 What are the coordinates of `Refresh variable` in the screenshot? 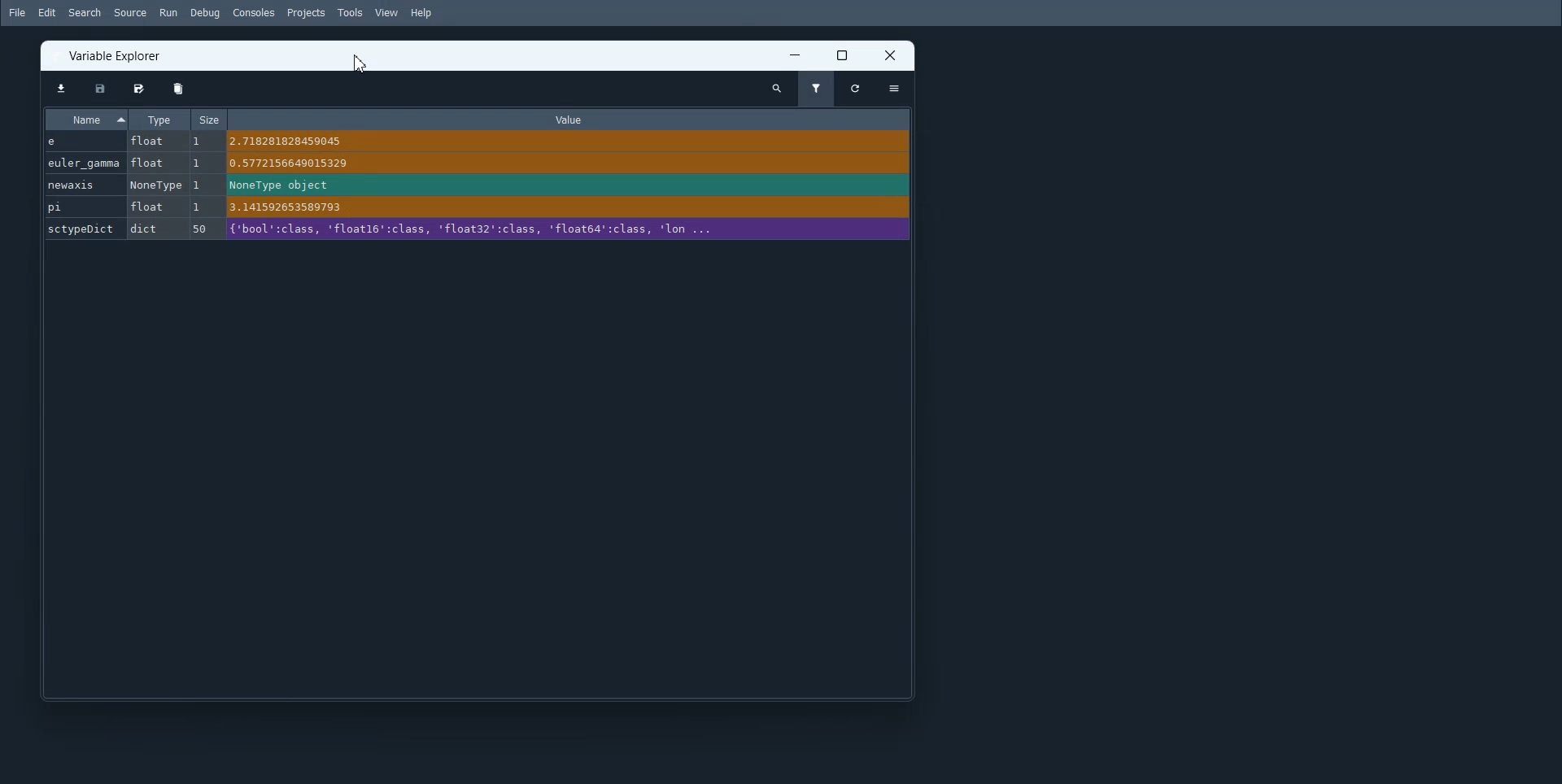 It's located at (856, 89).